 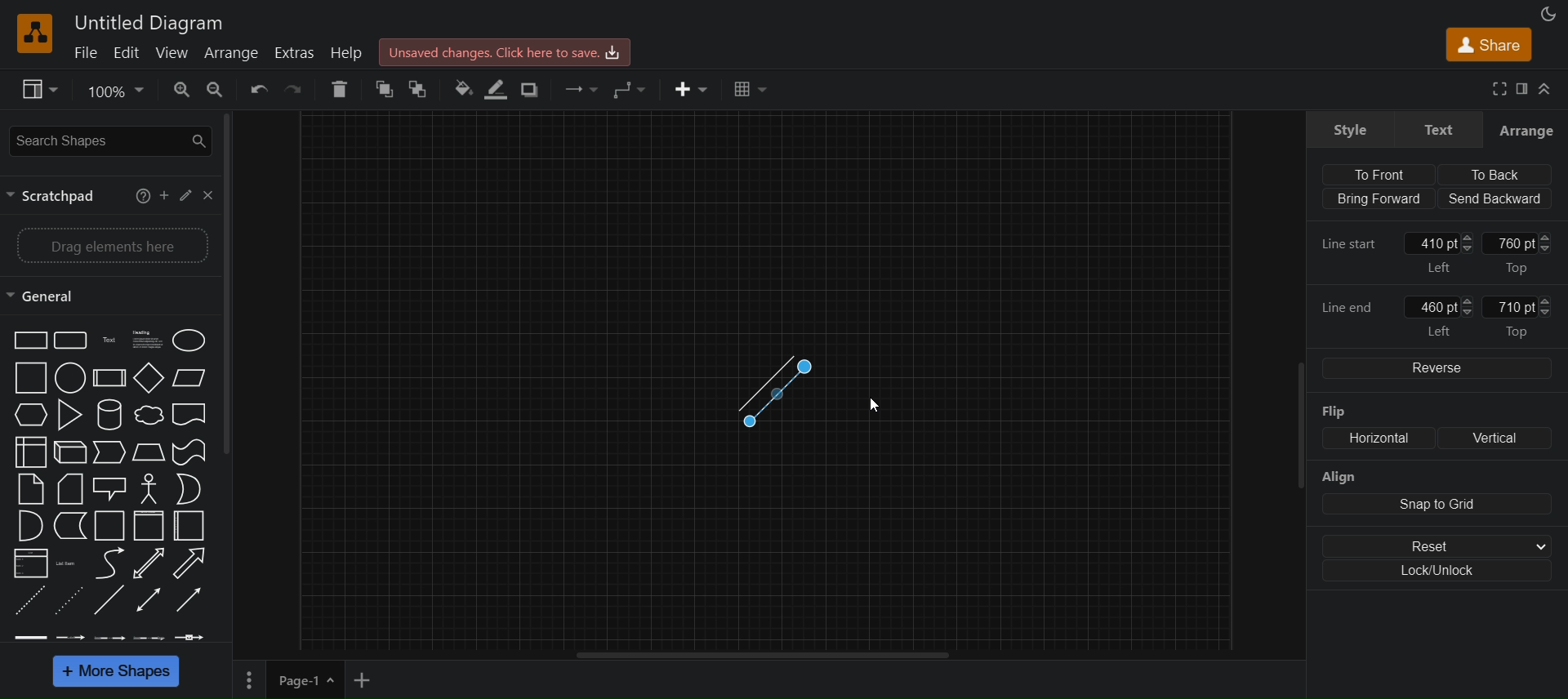 What do you see at coordinates (38, 32) in the screenshot?
I see `Logo` at bounding box center [38, 32].